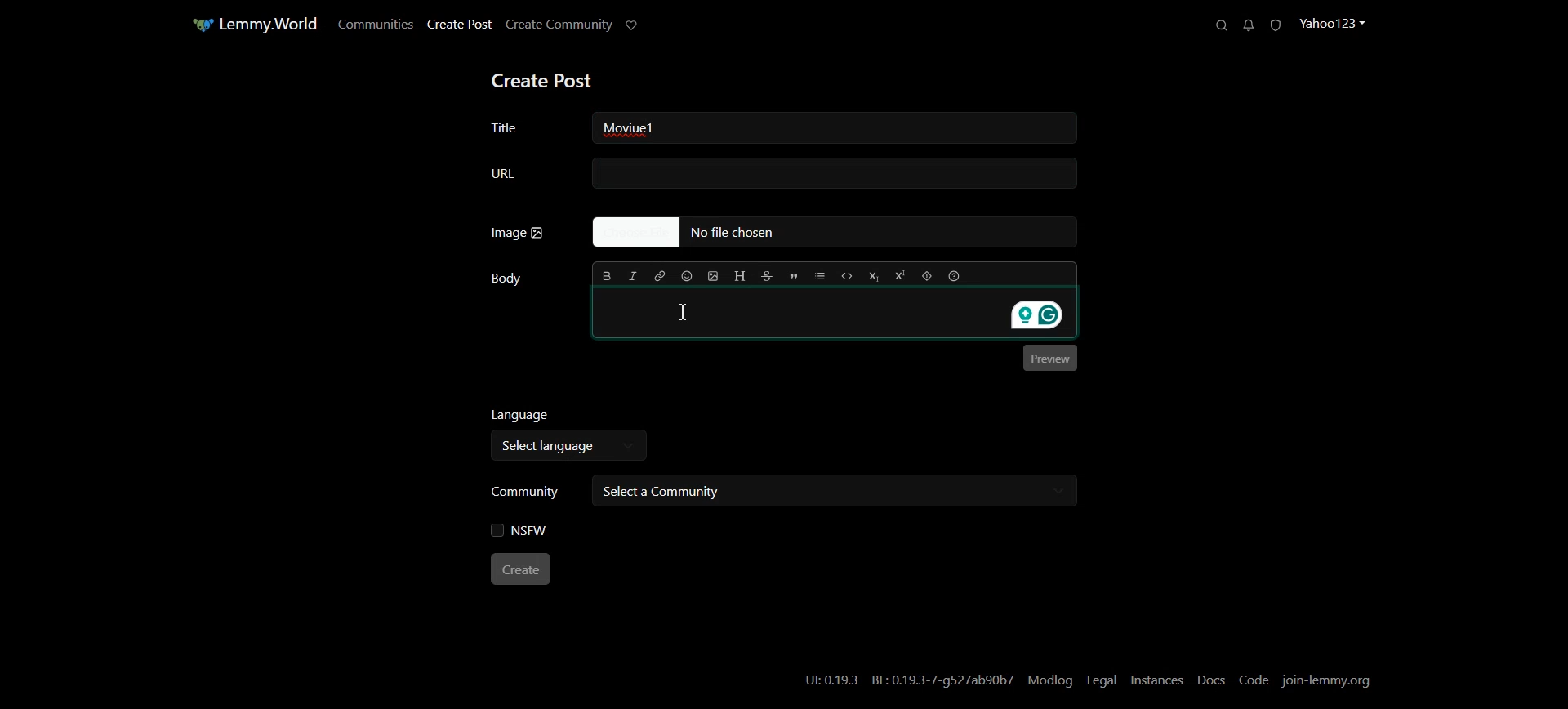 This screenshot has width=1568, height=709. Describe the element at coordinates (571, 417) in the screenshot. I see `Language` at that location.